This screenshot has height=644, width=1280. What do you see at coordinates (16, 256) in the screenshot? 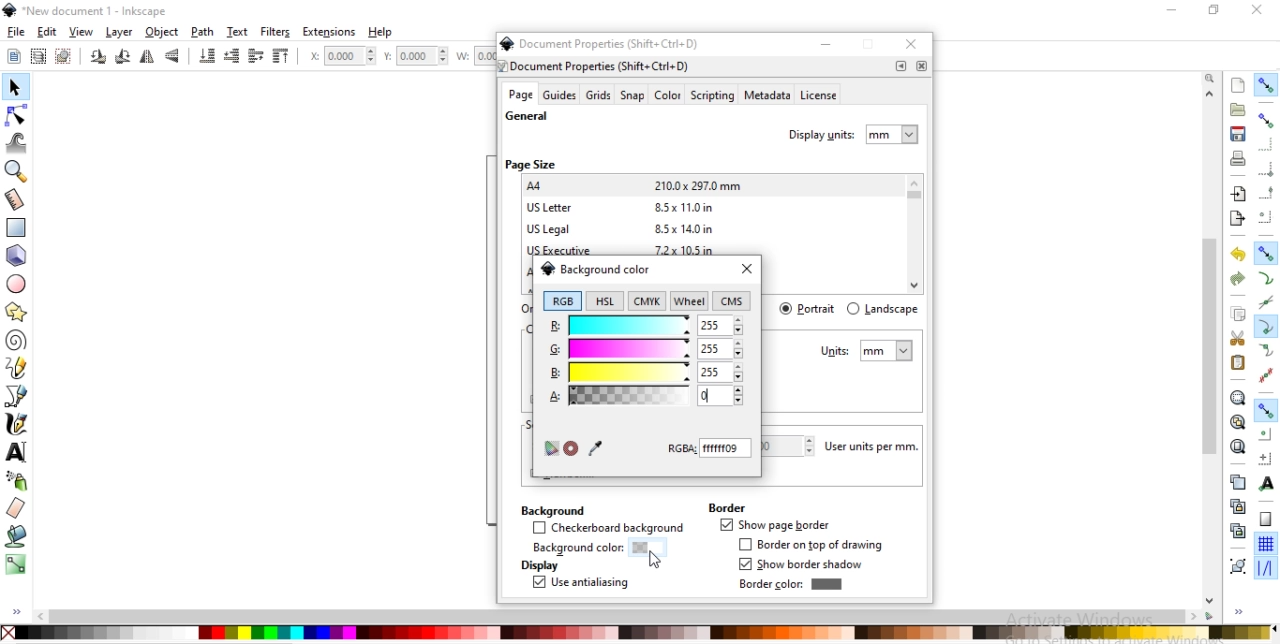
I see `3d boxes` at bounding box center [16, 256].